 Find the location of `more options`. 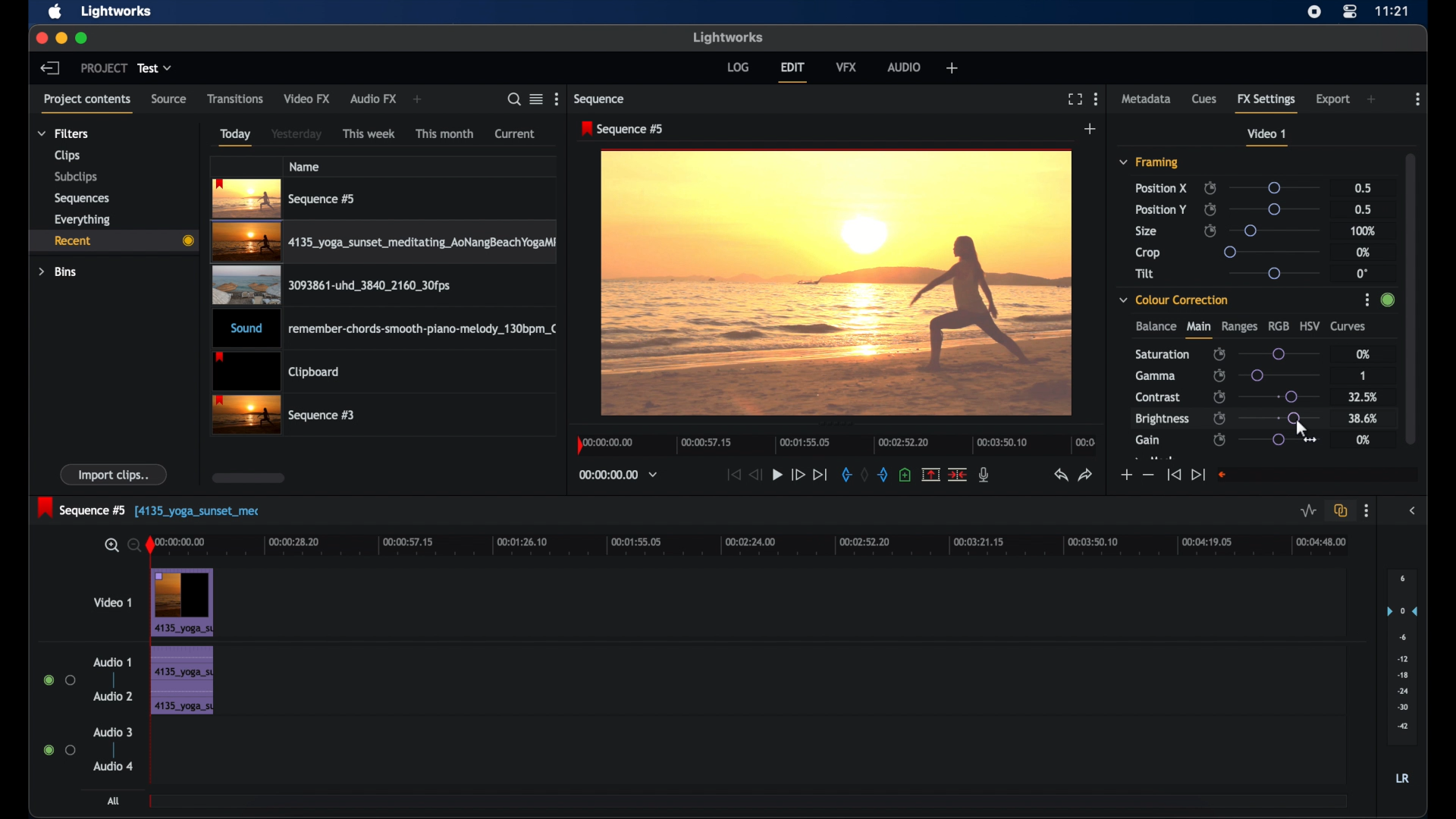

more options is located at coordinates (1418, 99).